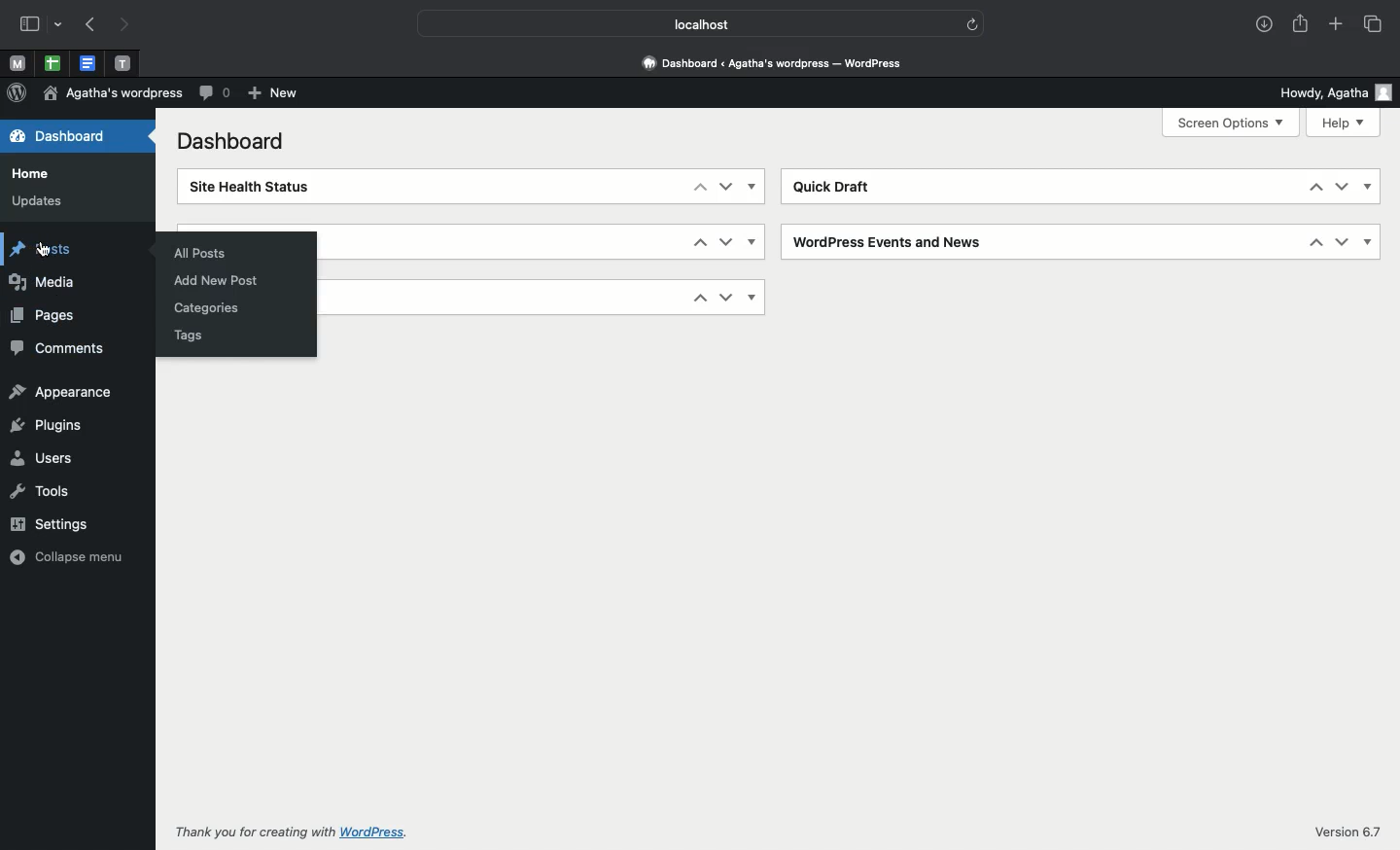  Describe the element at coordinates (726, 187) in the screenshot. I see `Down` at that location.